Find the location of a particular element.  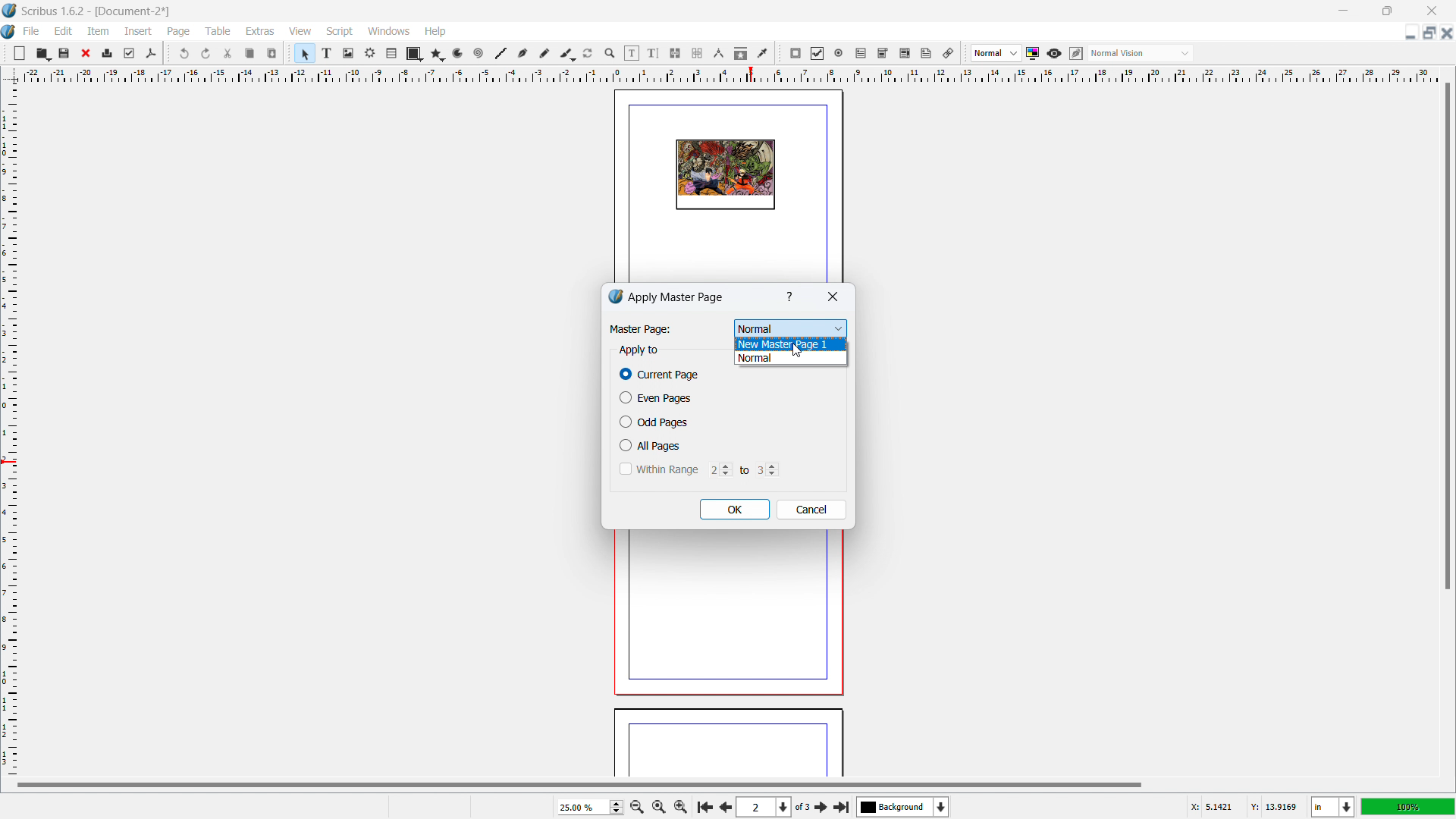

spirals is located at coordinates (479, 54).